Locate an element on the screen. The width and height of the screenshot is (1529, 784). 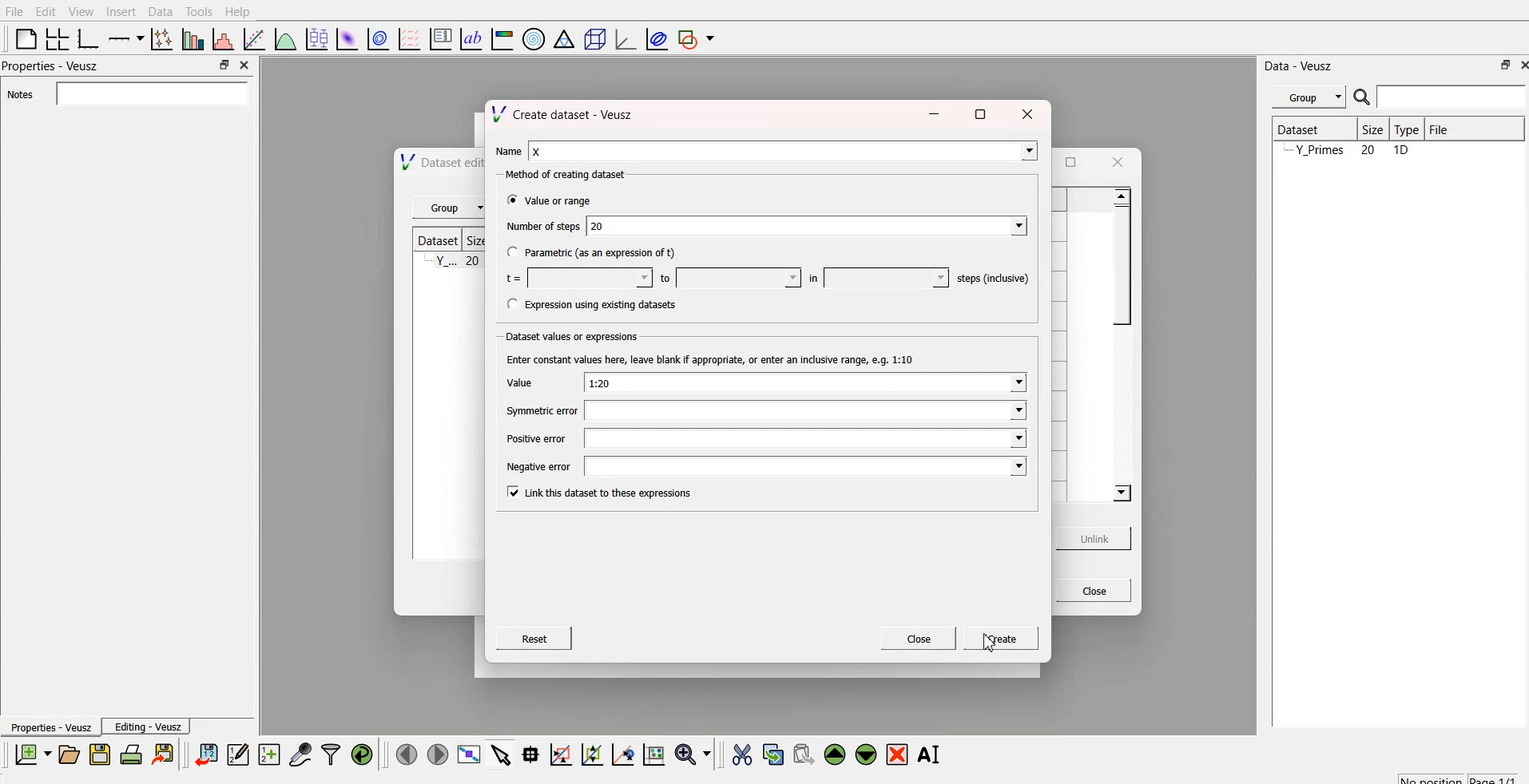
Name |x [Z is located at coordinates (761, 152).